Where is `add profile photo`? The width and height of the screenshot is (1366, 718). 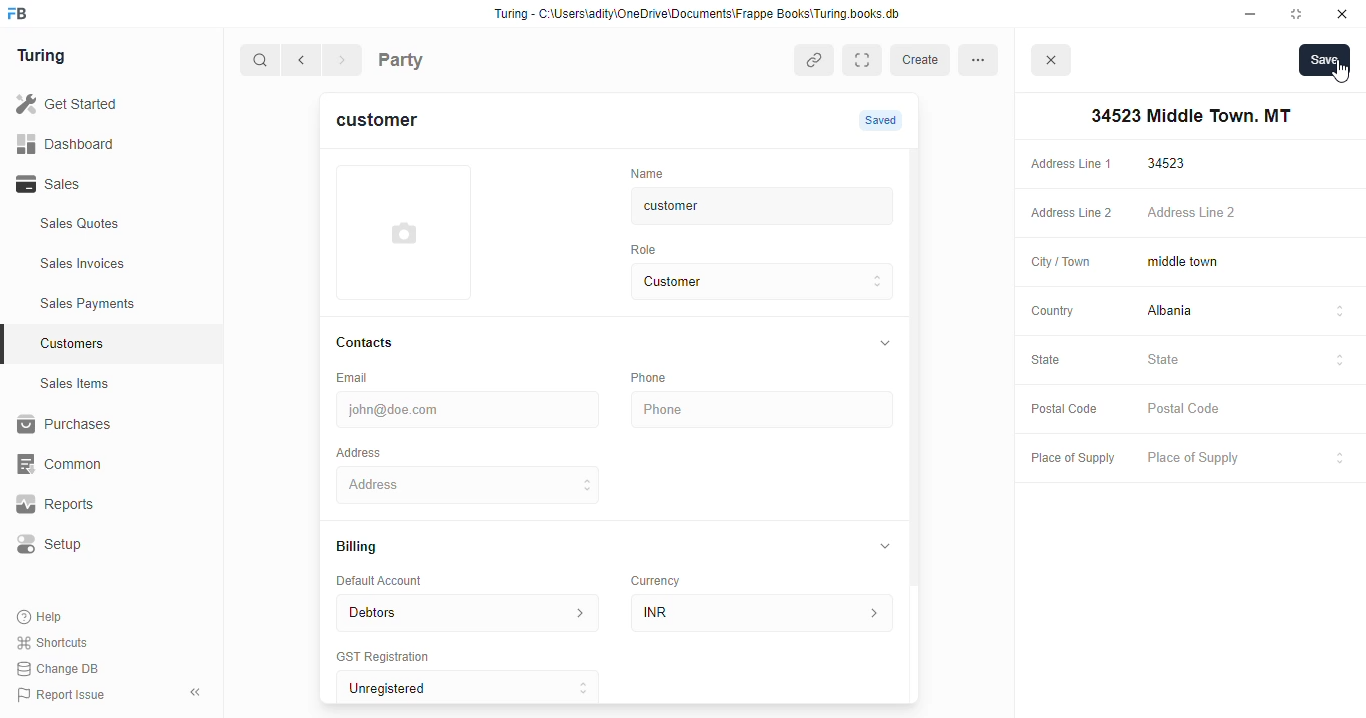
add profile photo is located at coordinates (404, 232).